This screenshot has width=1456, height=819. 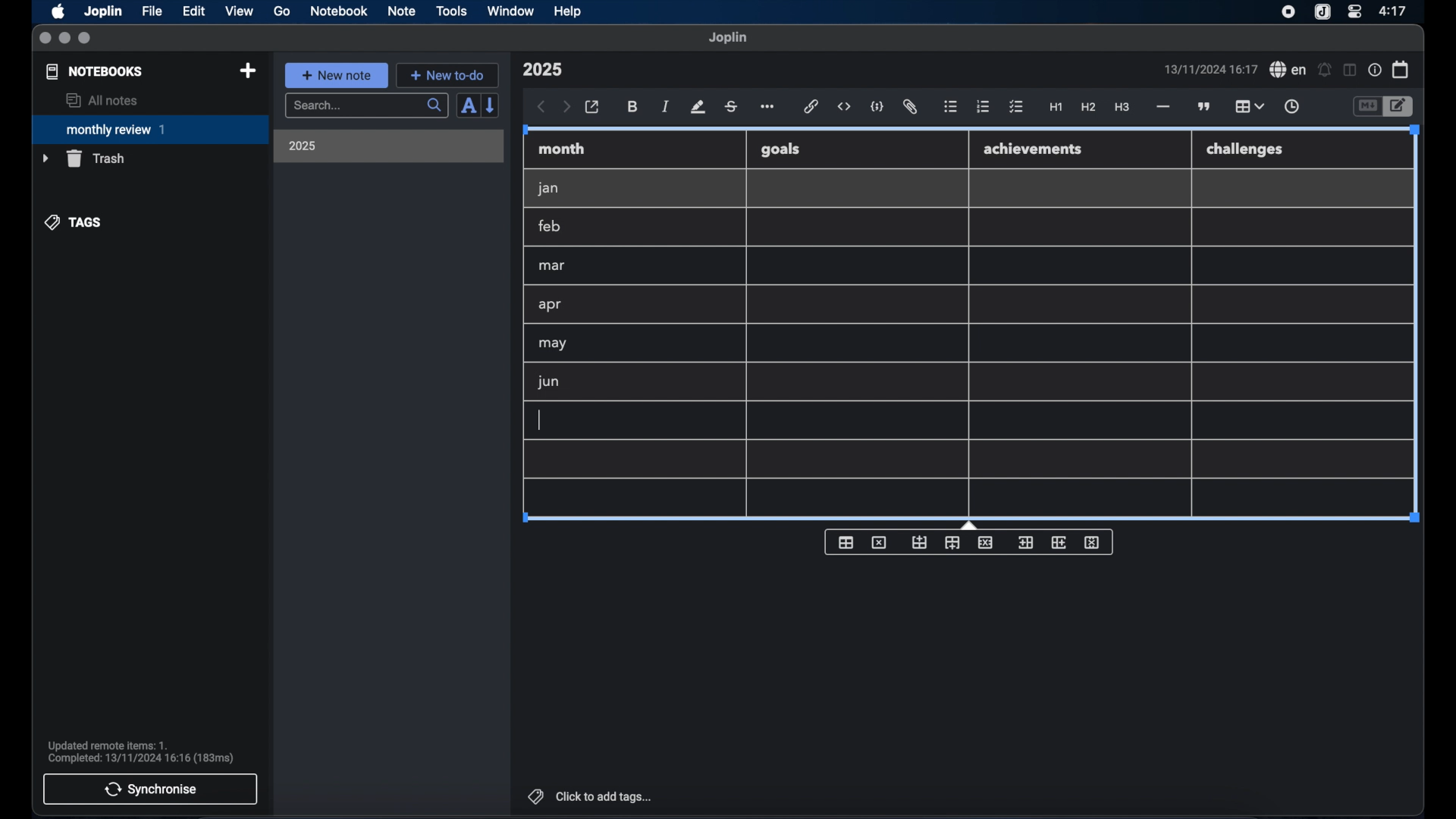 What do you see at coordinates (150, 789) in the screenshot?
I see `synchronise` at bounding box center [150, 789].